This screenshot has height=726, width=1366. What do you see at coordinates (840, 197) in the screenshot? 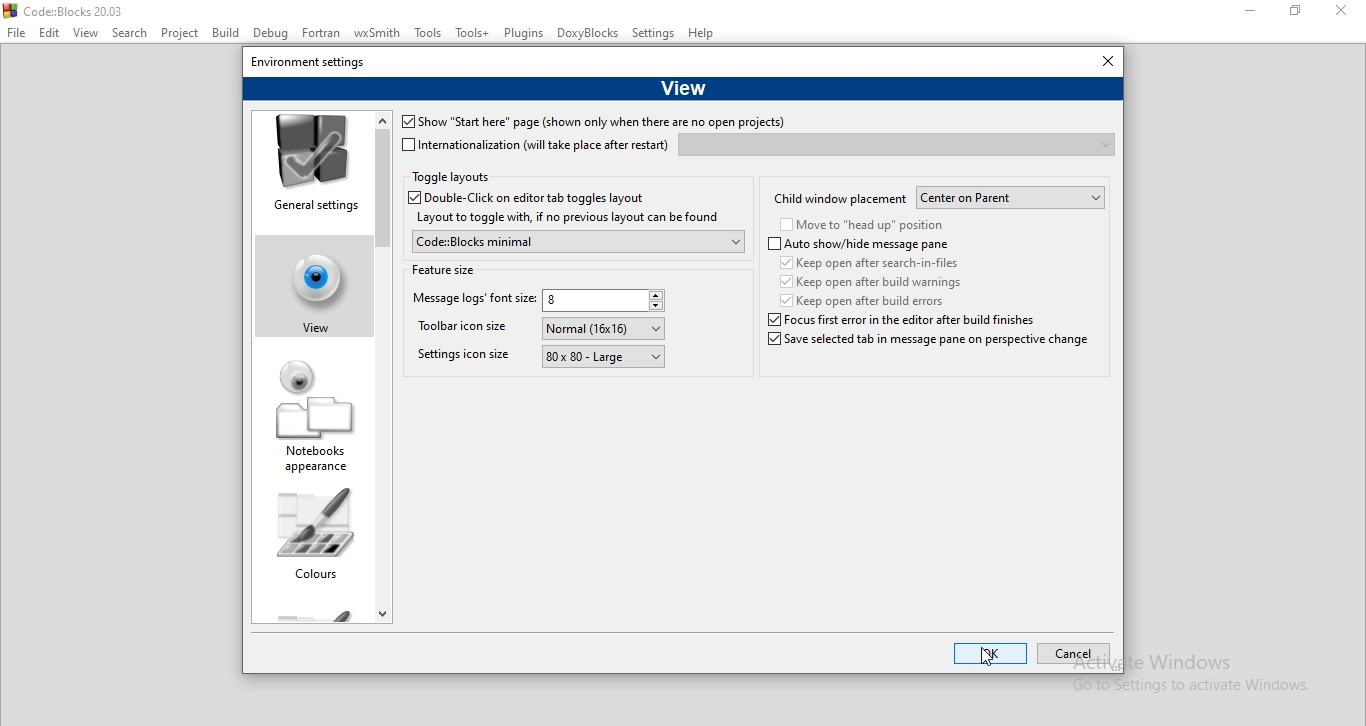
I see `Child window placement` at bounding box center [840, 197].